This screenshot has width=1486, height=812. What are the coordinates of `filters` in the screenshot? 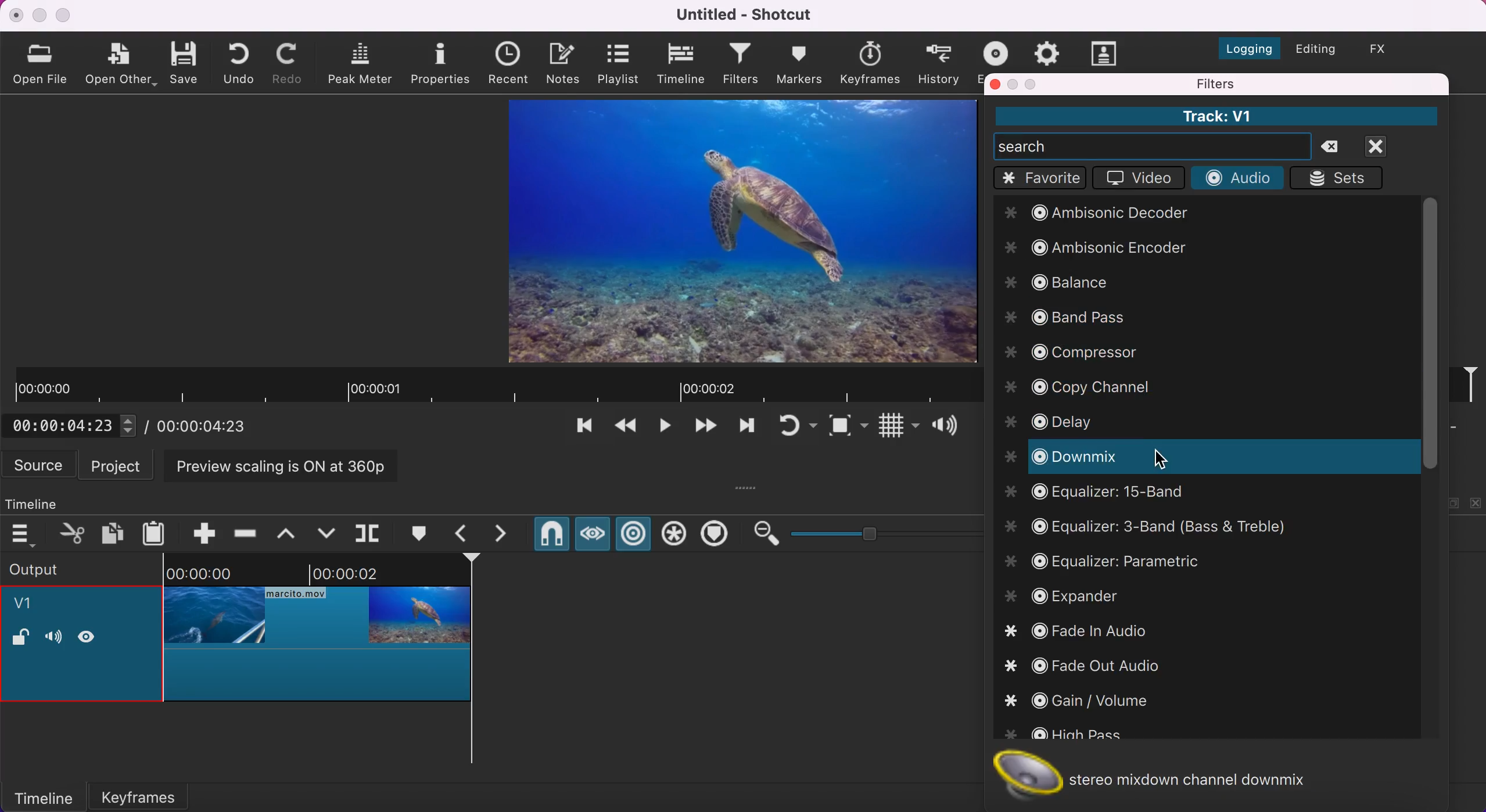 It's located at (1274, 84).